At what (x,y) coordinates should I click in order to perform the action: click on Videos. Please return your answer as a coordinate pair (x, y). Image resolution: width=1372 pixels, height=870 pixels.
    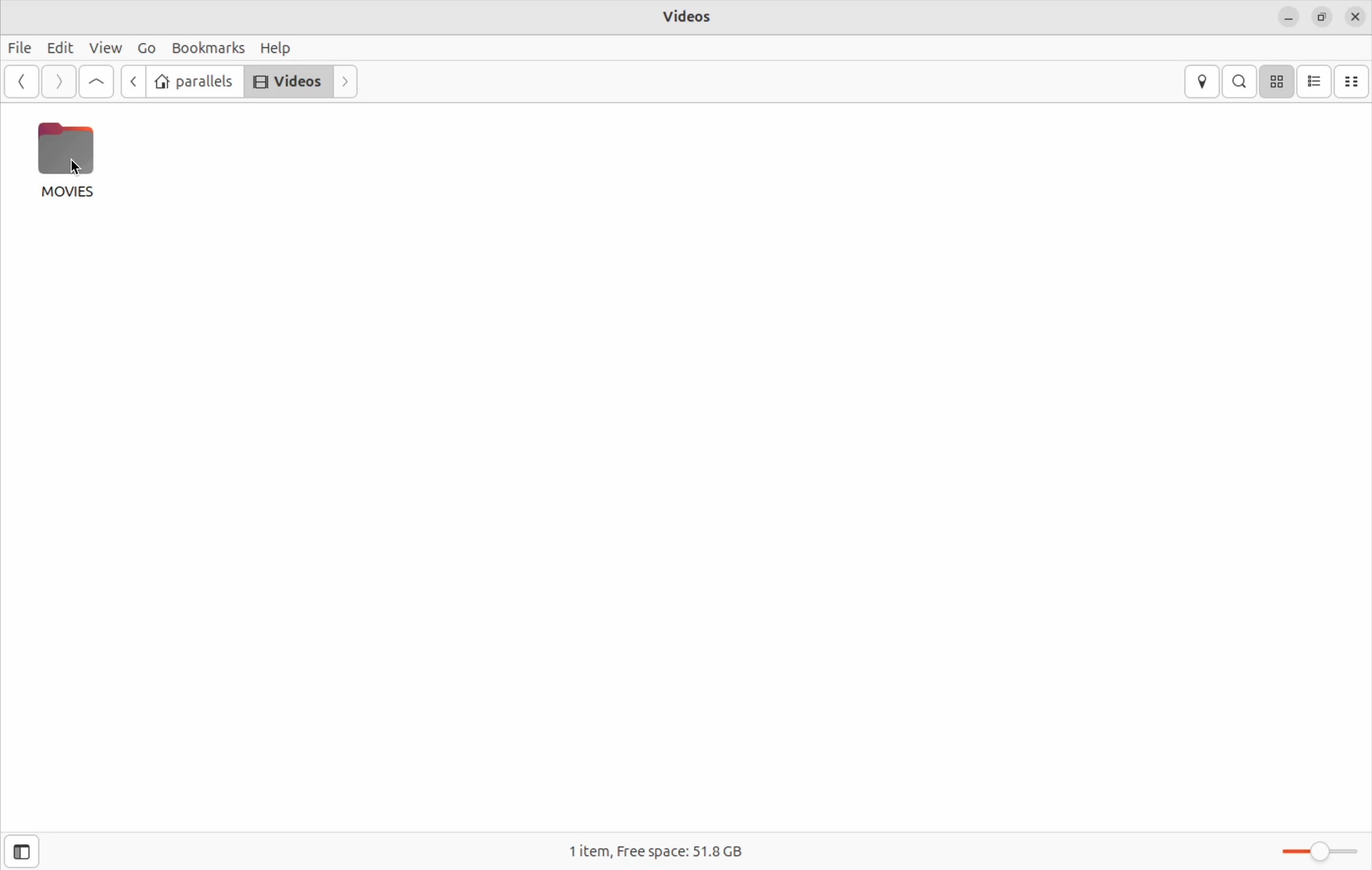
    Looking at the image, I should click on (286, 80).